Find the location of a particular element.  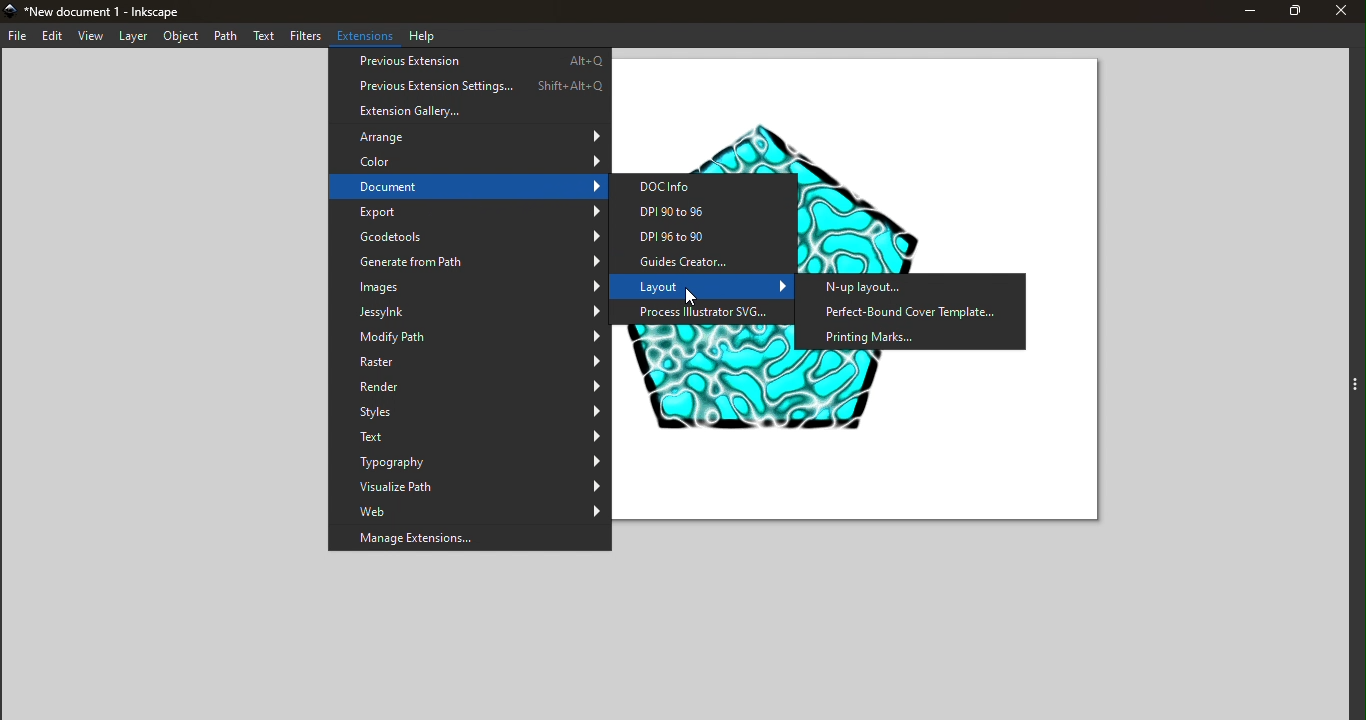

JessyInk is located at coordinates (468, 311).